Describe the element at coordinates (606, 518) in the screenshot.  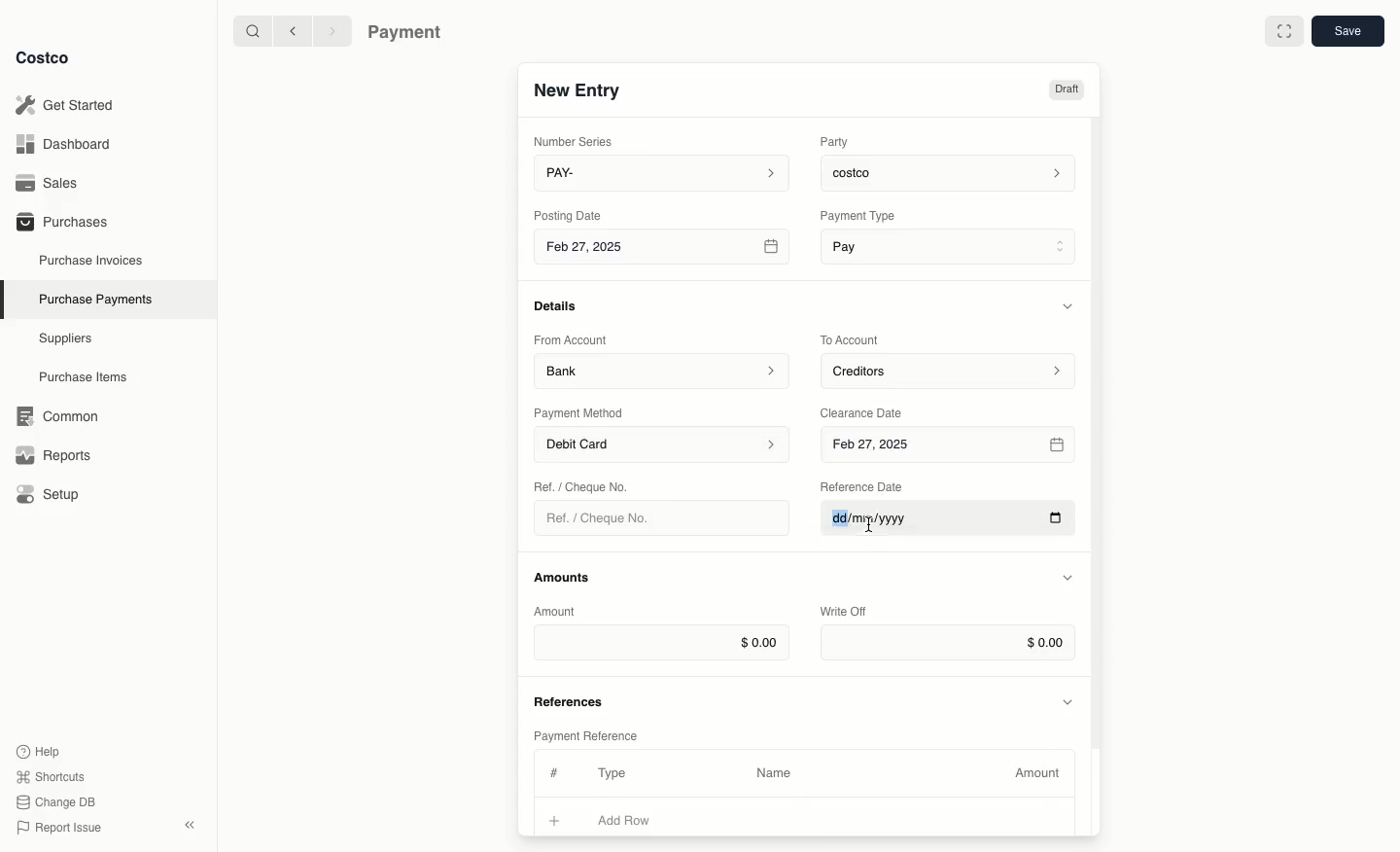
I see `Ref. / Cheque No.` at that location.